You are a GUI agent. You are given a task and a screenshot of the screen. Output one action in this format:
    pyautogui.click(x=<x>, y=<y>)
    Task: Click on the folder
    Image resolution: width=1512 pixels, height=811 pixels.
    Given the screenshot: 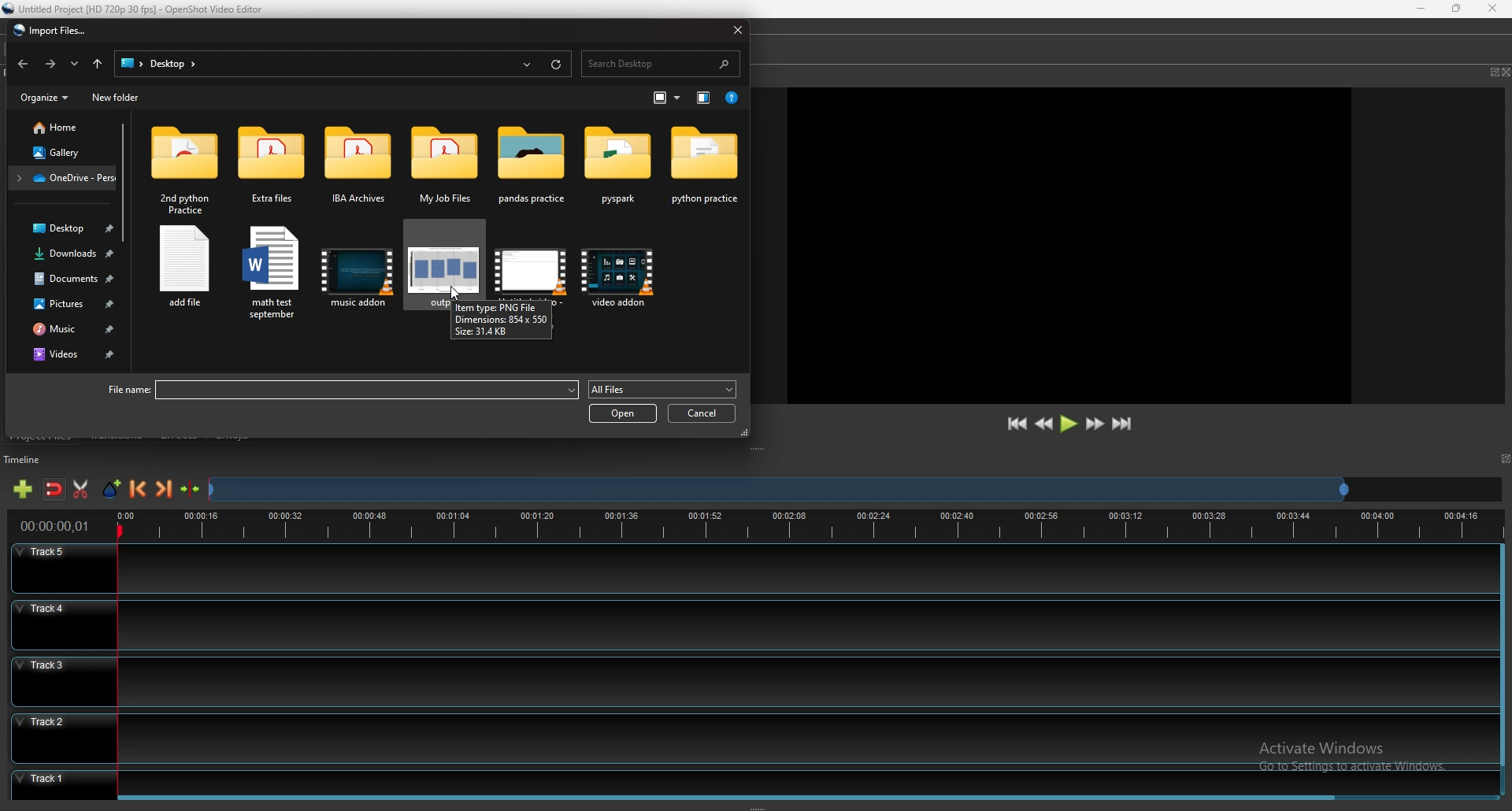 What is the action you would take?
    pyautogui.click(x=271, y=171)
    